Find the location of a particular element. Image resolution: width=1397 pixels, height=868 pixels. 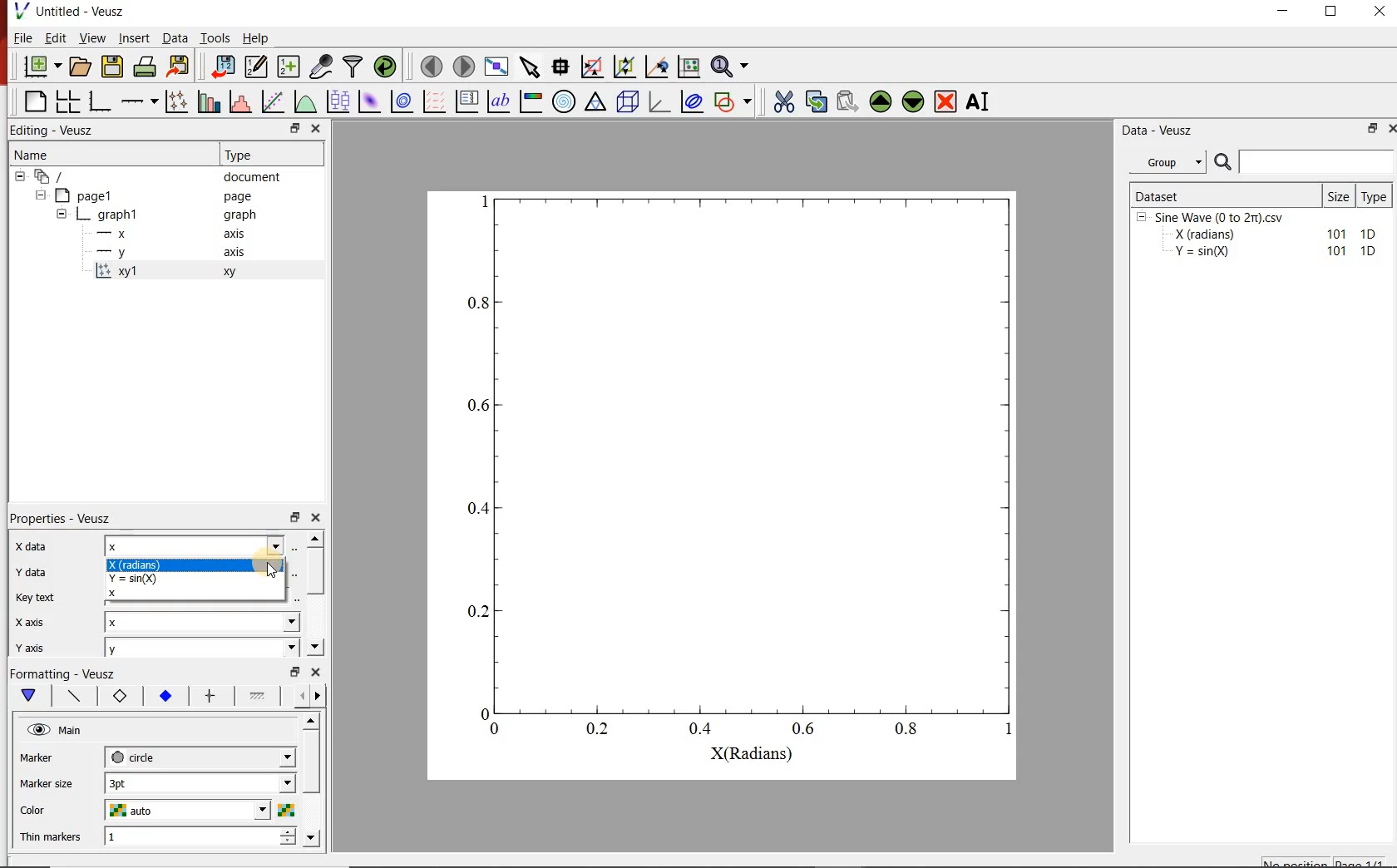

create new datasets is located at coordinates (289, 67).